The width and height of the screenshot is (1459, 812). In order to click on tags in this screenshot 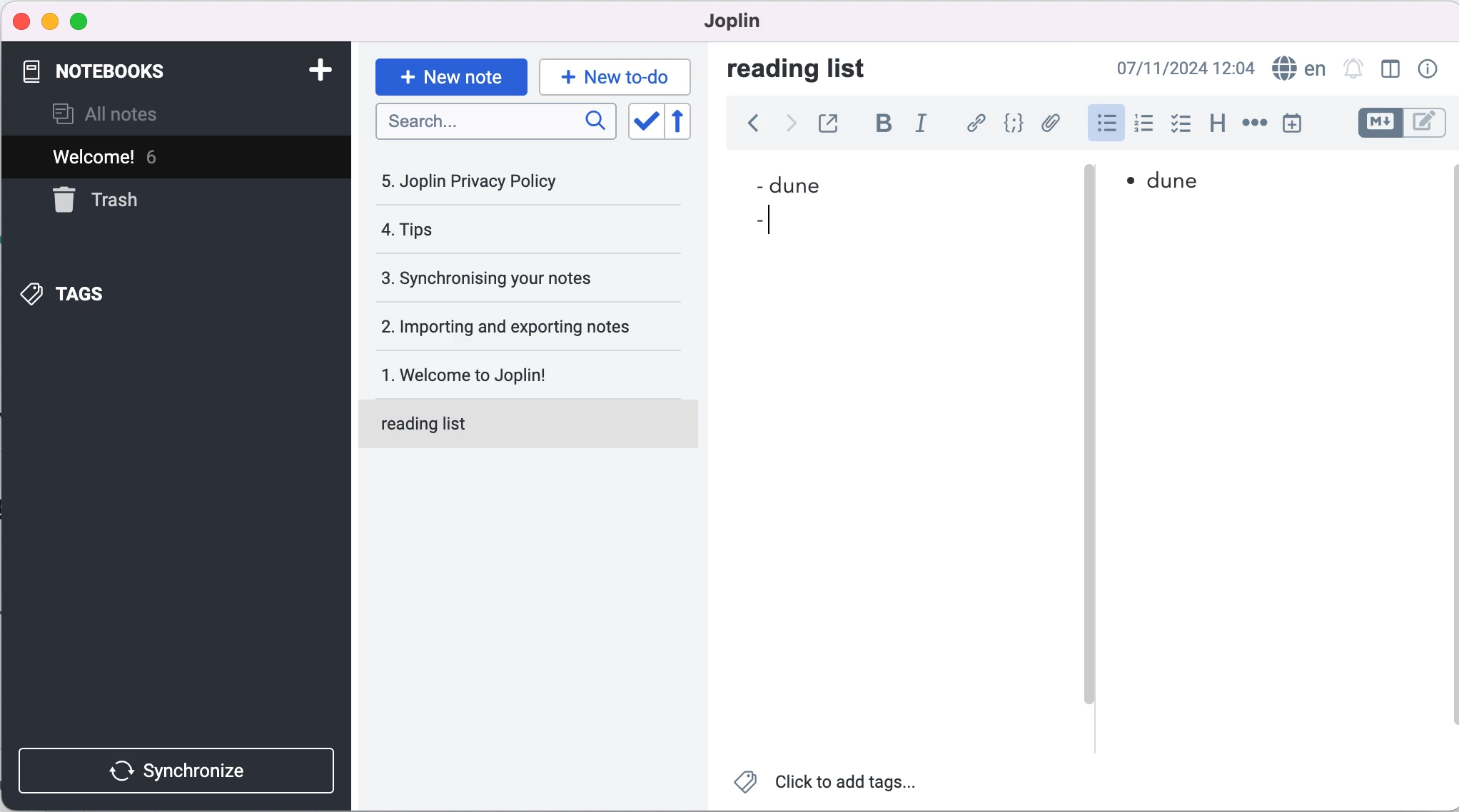, I will do `click(142, 294)`.